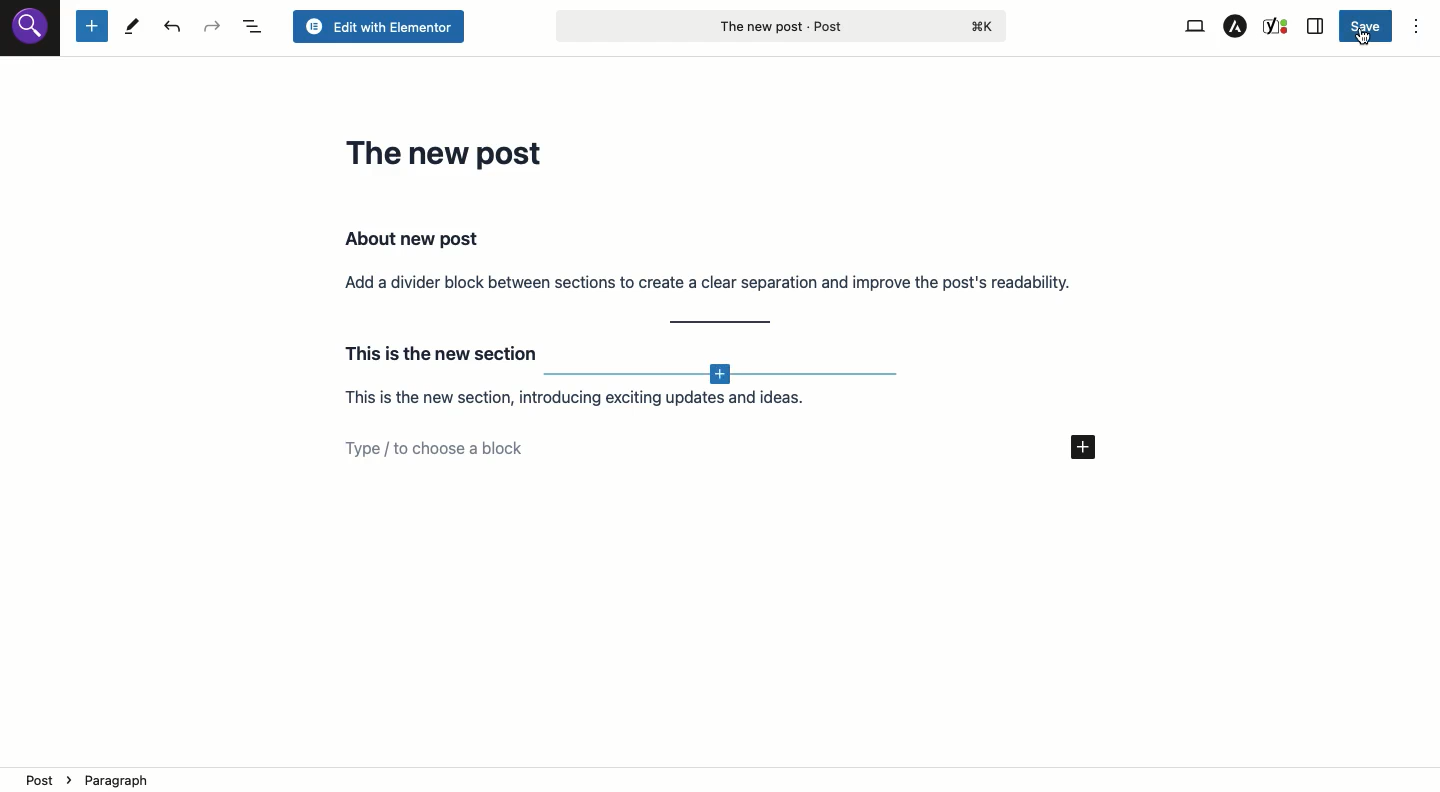 This screenshot has height=792, width=1440. What do you see at coordinates (733, 448) in the screenshot?
I see `Choose a block` at bounding box center [733, 448].